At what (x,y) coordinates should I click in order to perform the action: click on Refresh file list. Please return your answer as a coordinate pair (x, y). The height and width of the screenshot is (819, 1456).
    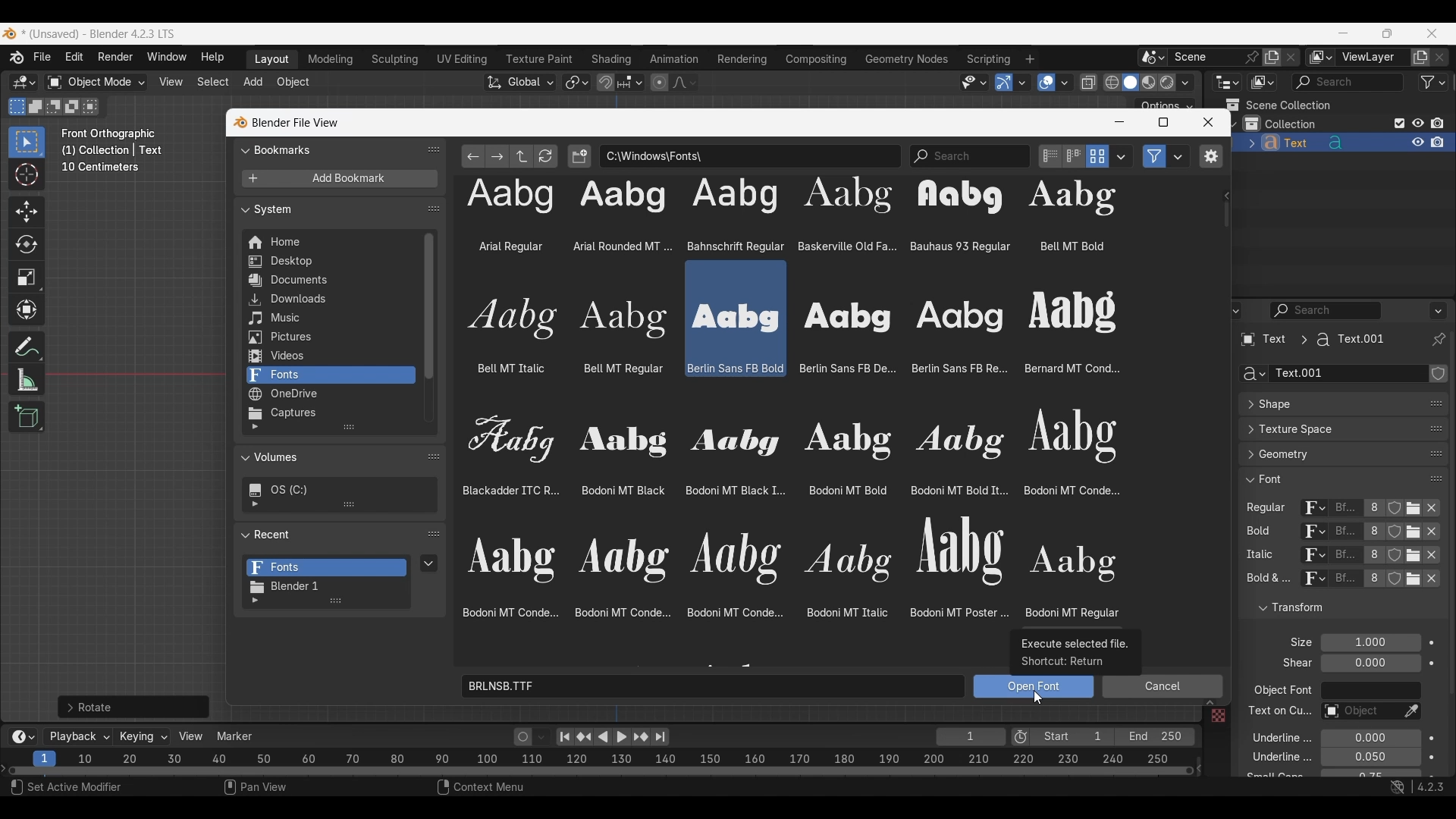
    Looking at the image, I should click on (546, 156).